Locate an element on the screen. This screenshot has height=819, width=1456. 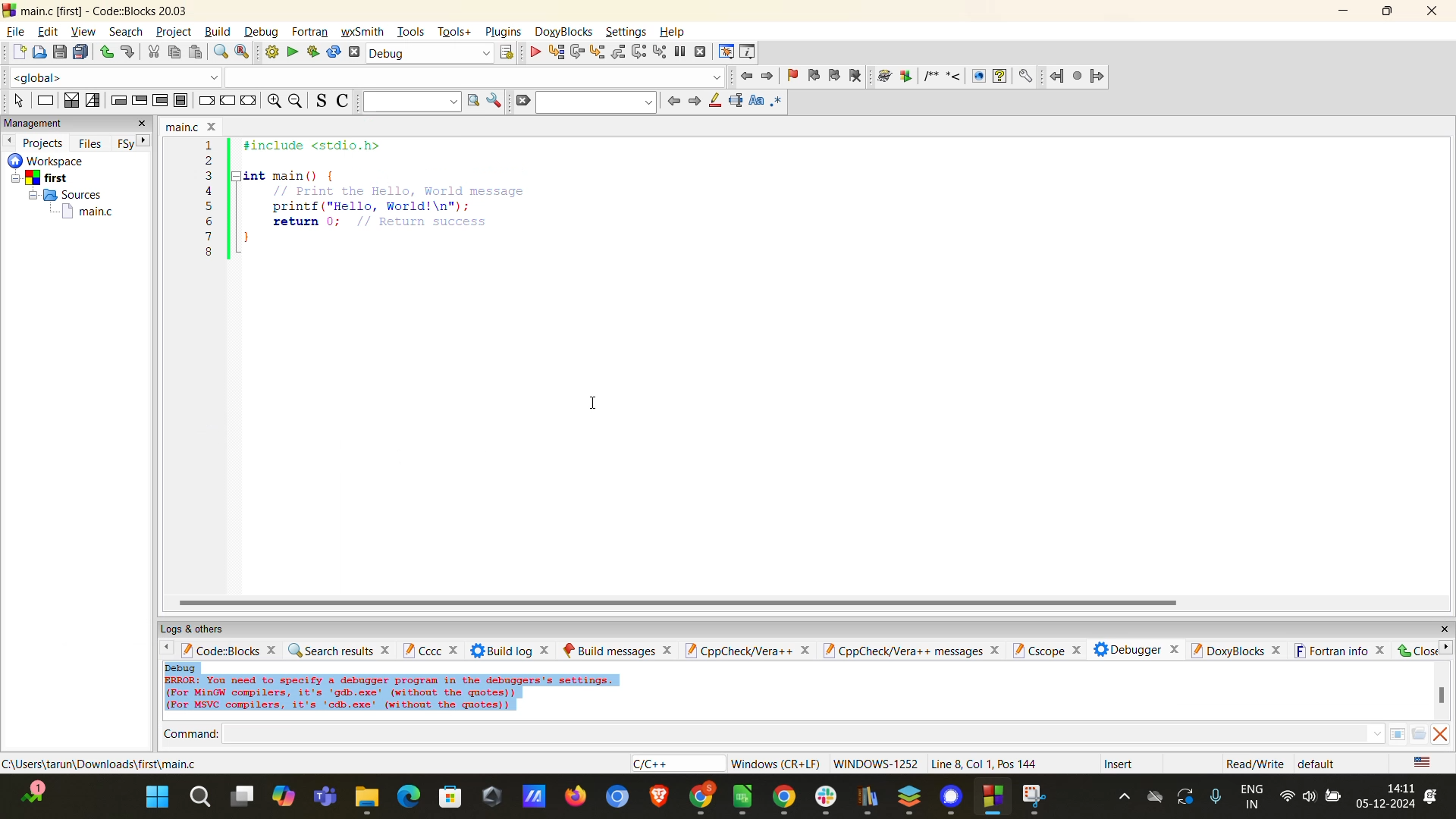
first is located at coordinates (41, 177).